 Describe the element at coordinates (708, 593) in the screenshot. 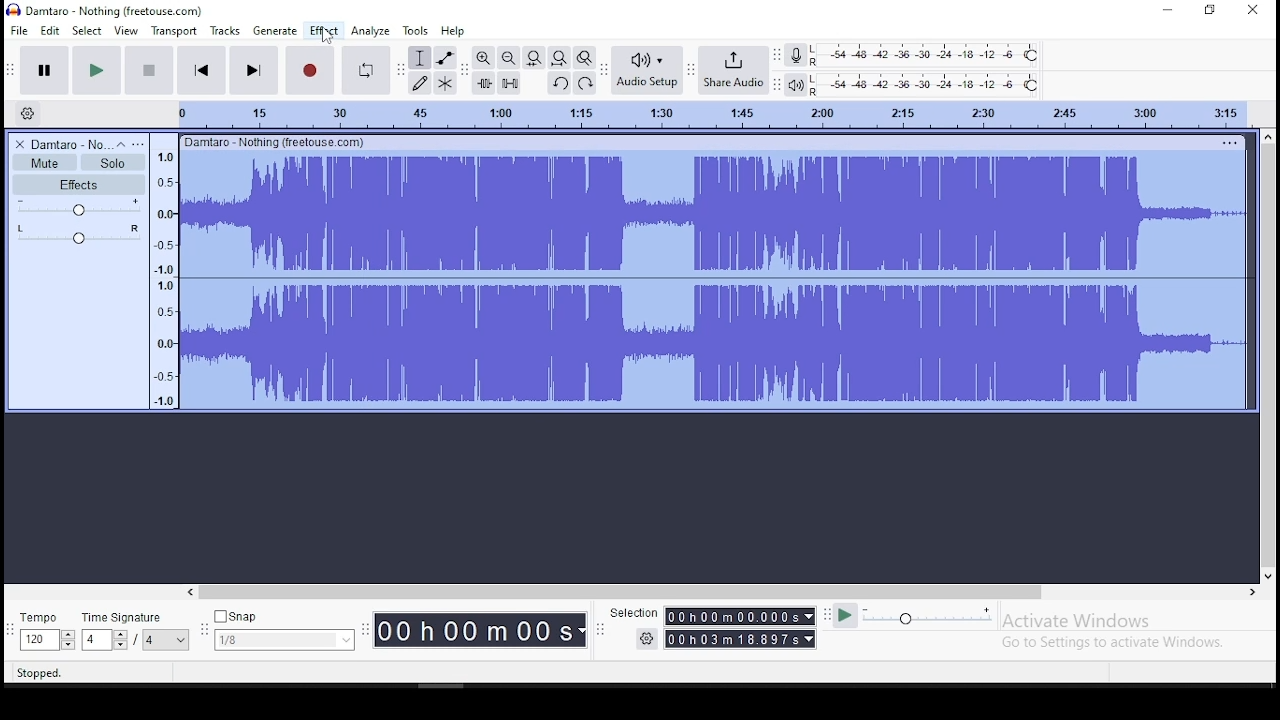

I see `Horizontal scrollbar` at that location.